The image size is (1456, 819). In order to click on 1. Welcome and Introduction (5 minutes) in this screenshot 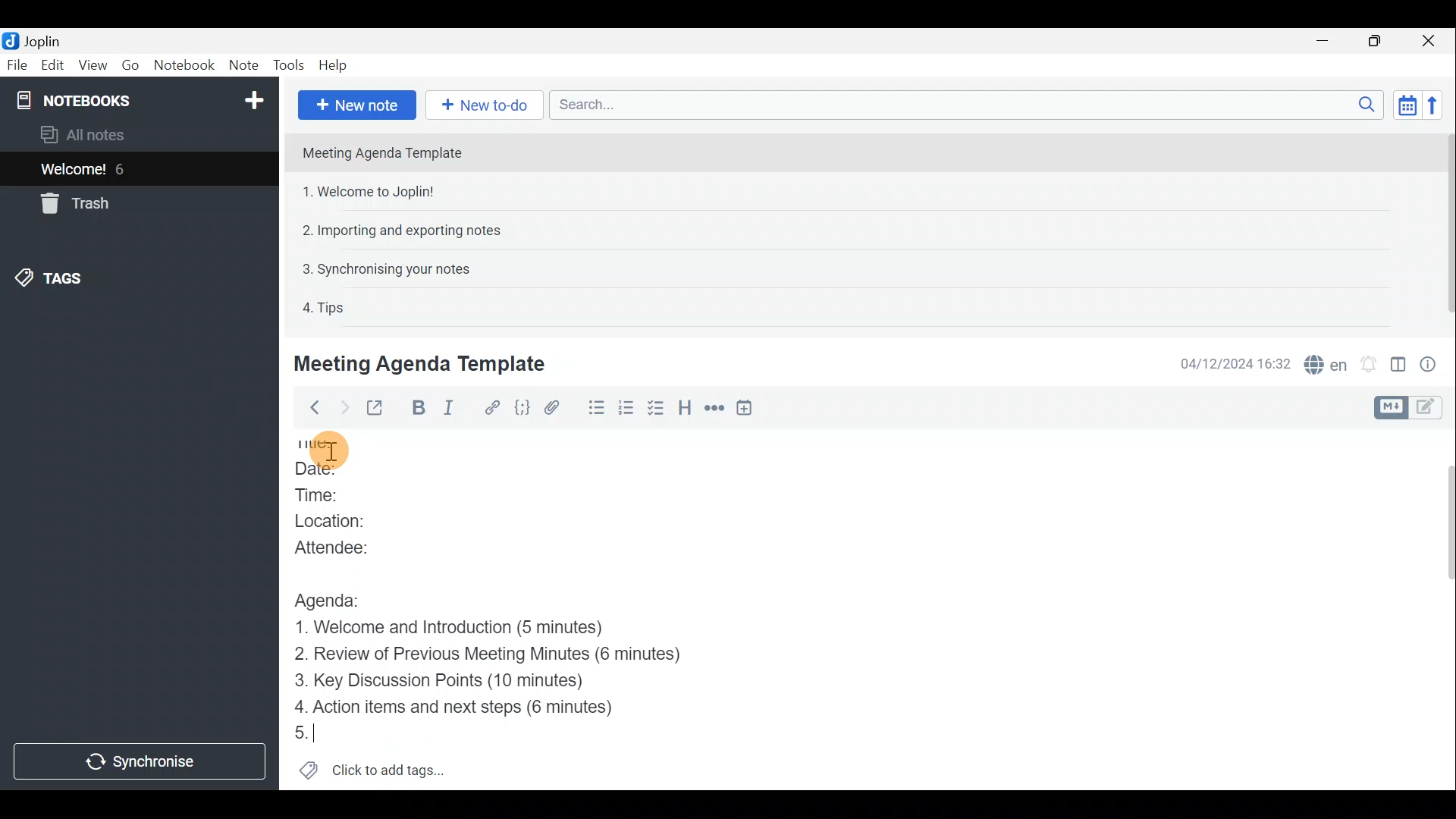, I will do `click(474, 629)`.